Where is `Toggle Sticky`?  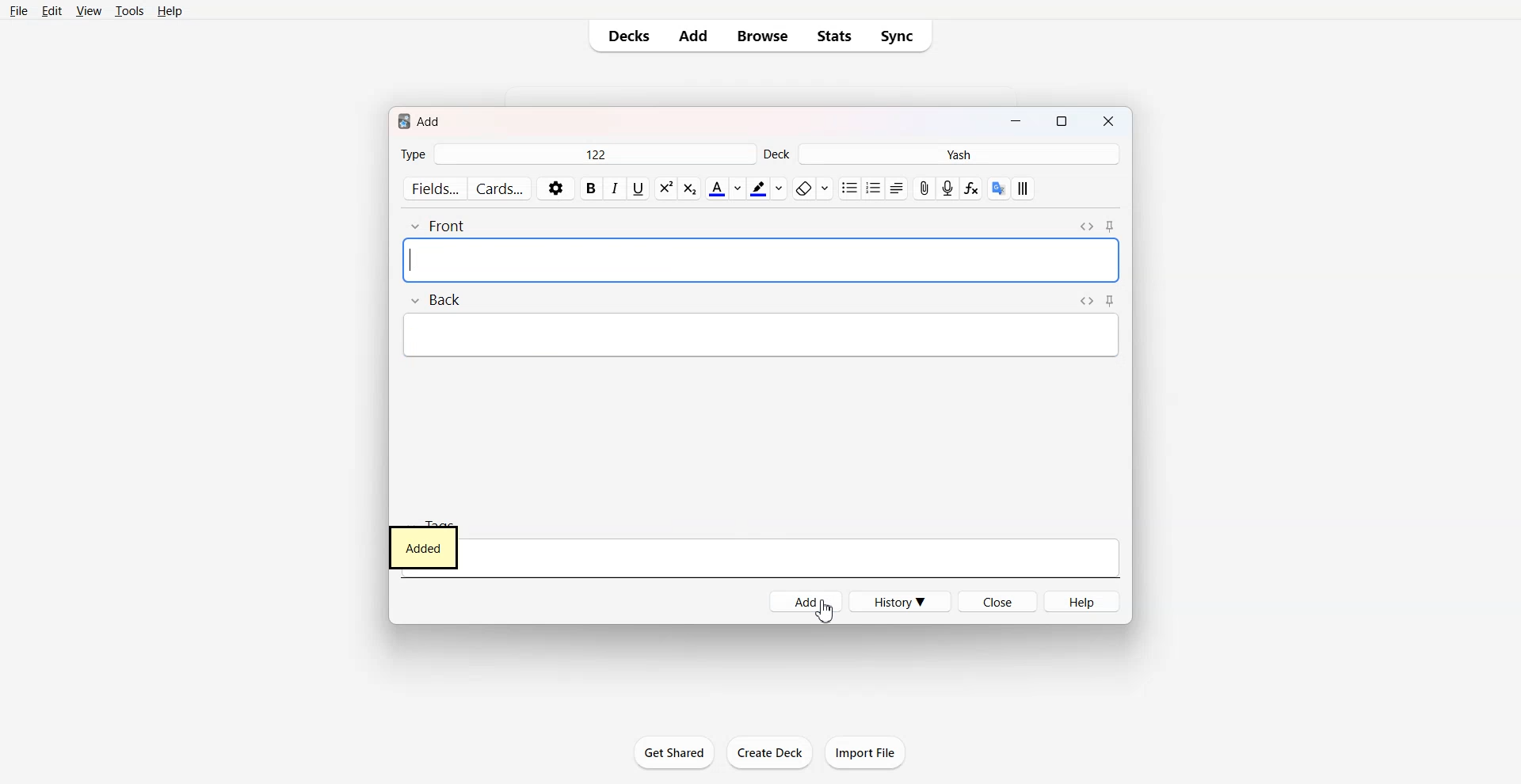 Toggle Sticky is located at coordinates (1111, 226).